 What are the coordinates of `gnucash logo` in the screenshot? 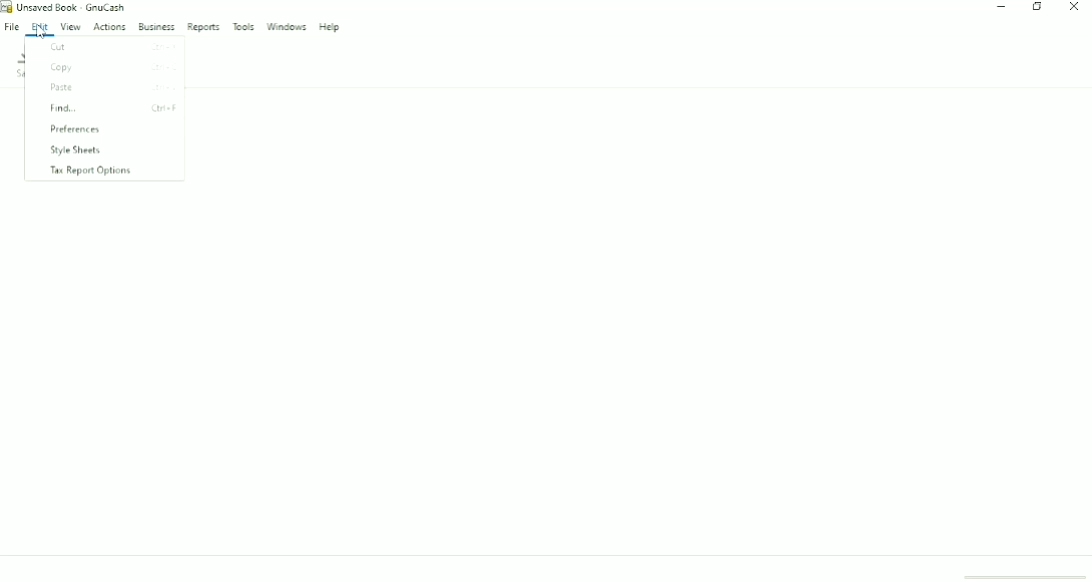 It's located at (7, 6).